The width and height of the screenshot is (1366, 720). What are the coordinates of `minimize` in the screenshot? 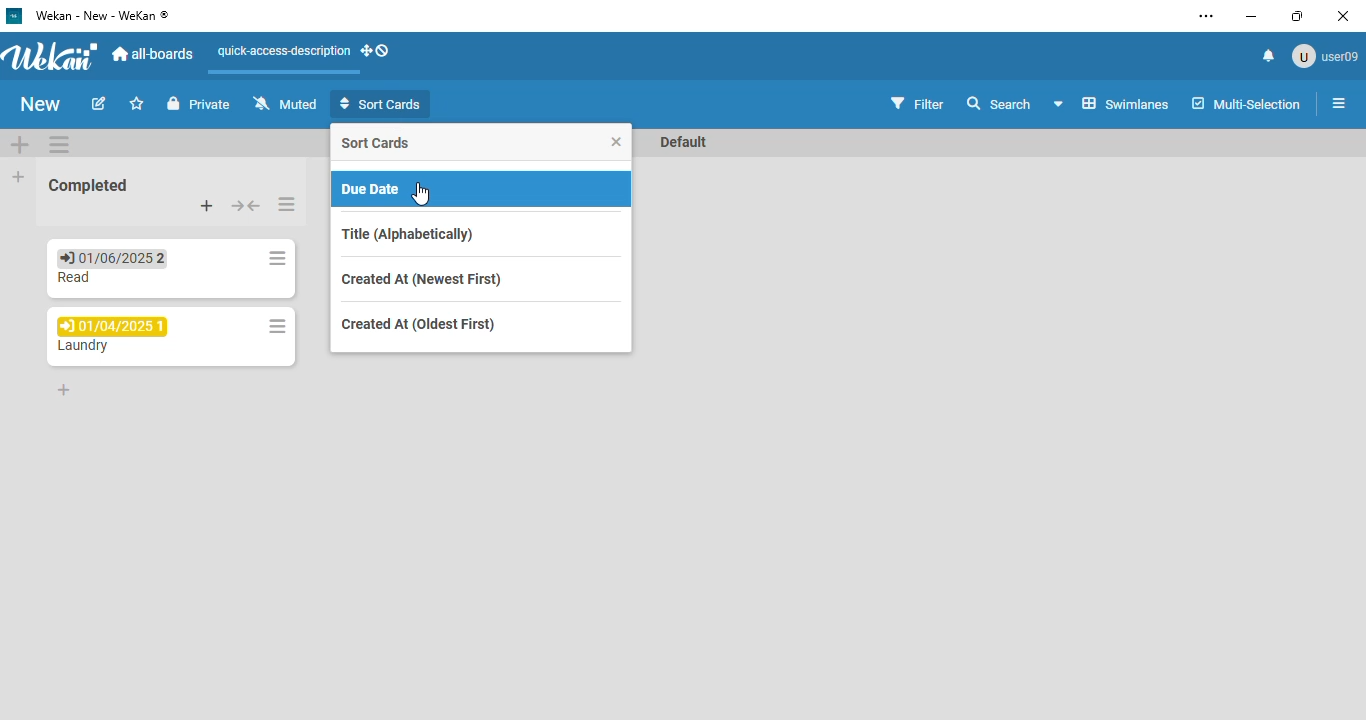 It's located at (1251, 17).